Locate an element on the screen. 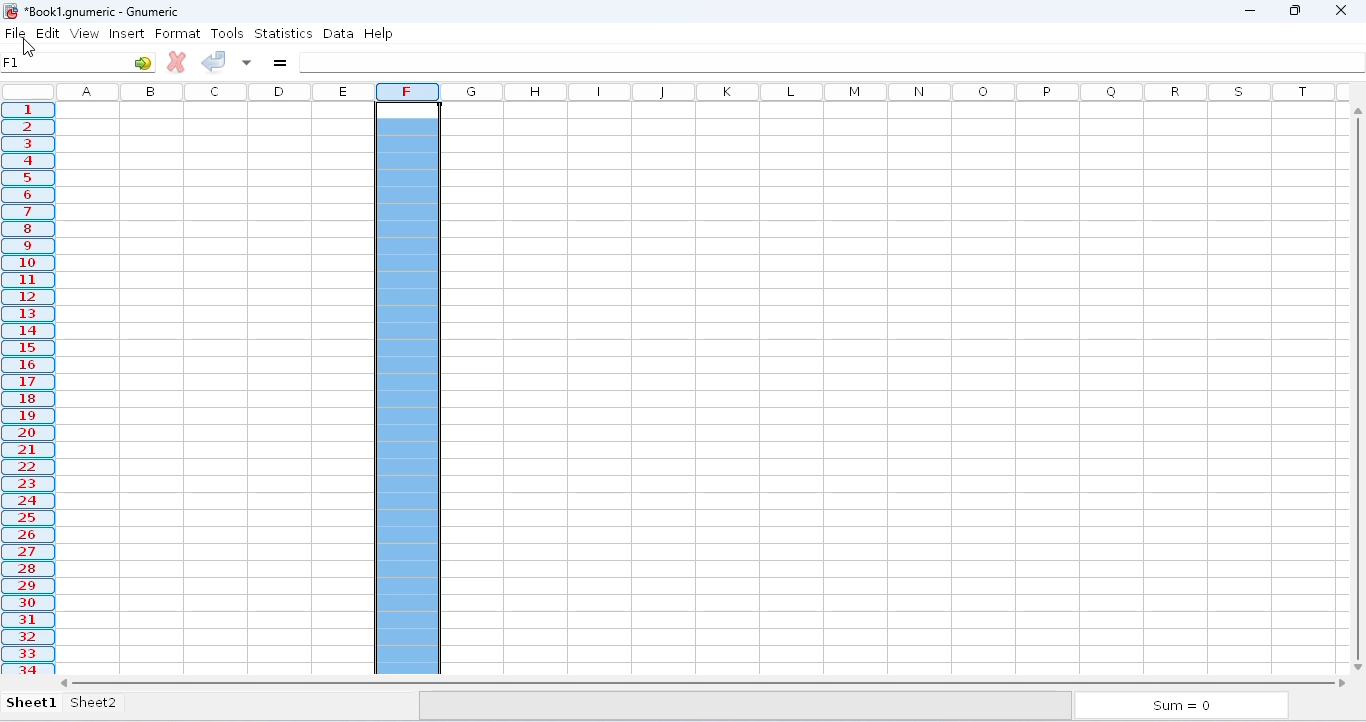 Image resolution: width=1366 pixels, height=722 pixels. go to is located at coordinates (142, 63).